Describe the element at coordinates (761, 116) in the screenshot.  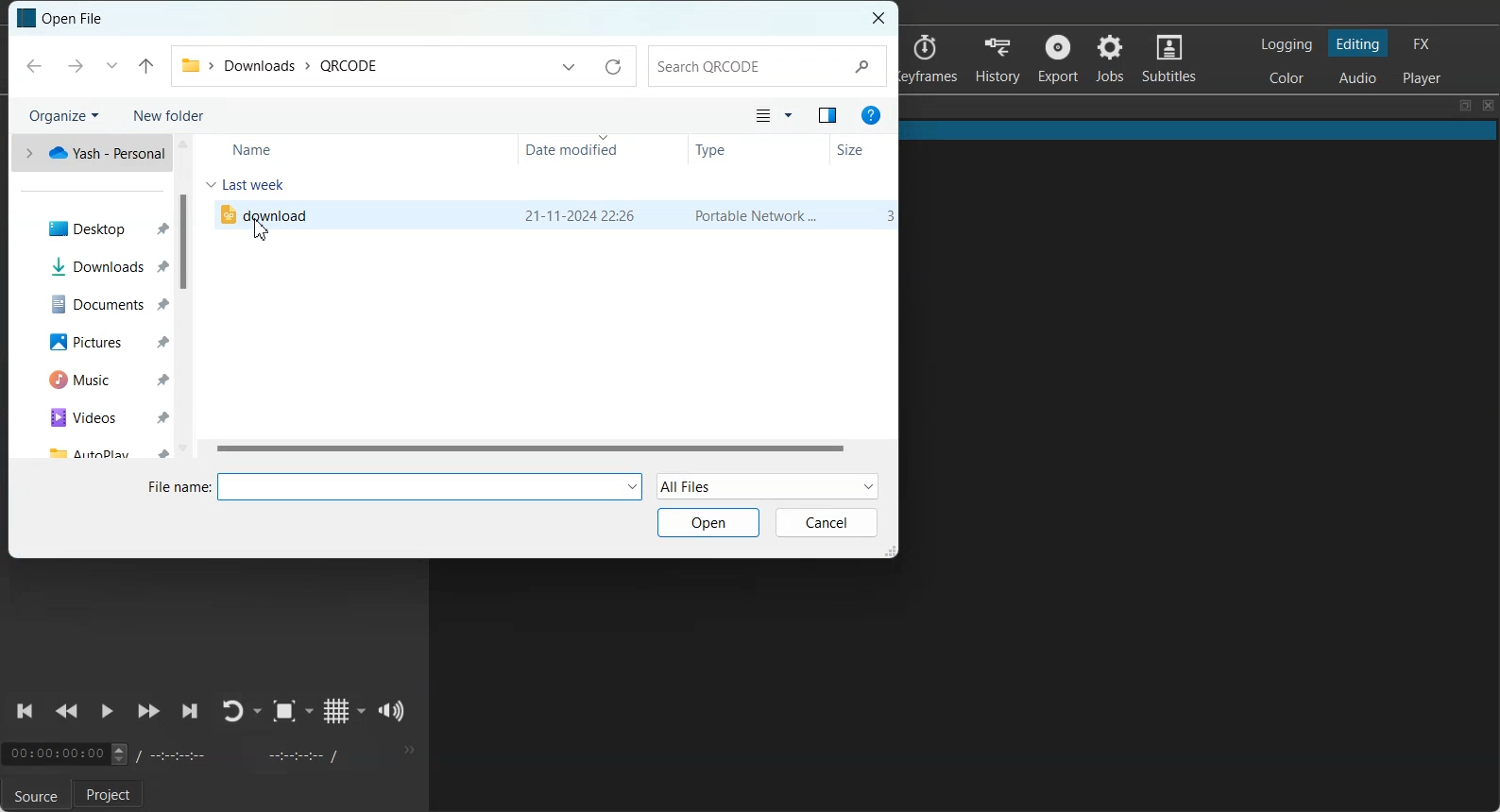
I see `Change your view` at that location.